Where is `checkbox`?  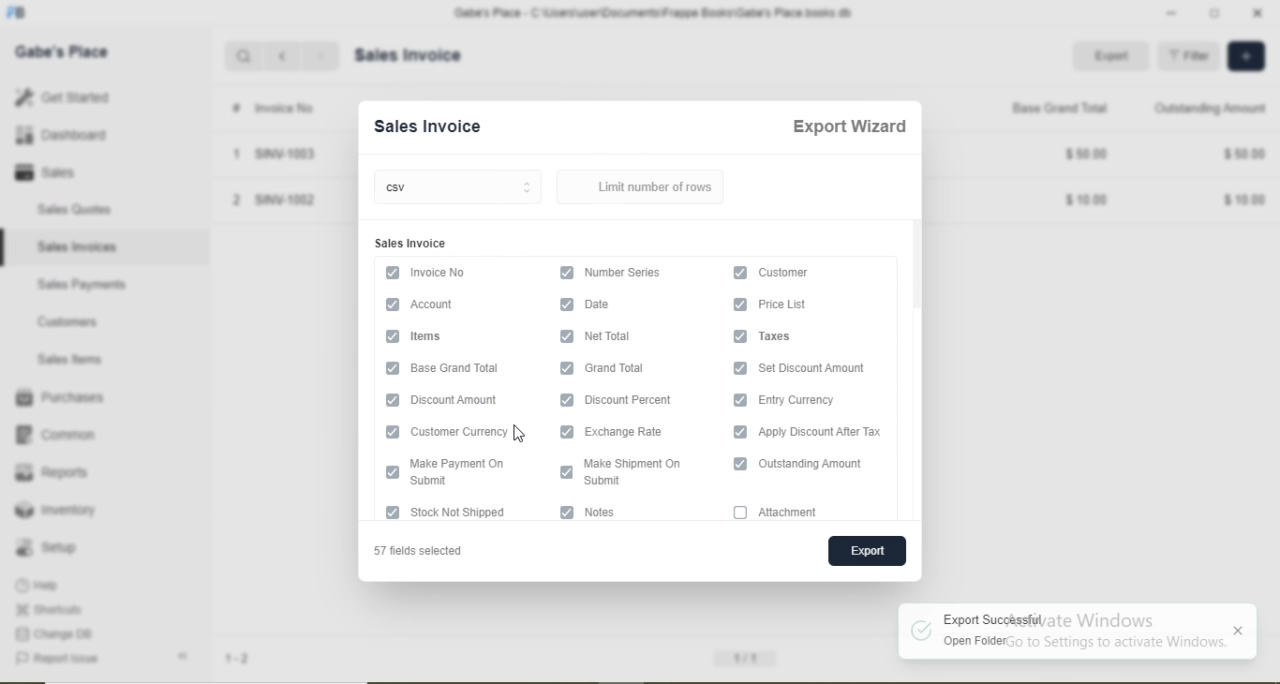
checkbox is located at coordinates (564, 470).